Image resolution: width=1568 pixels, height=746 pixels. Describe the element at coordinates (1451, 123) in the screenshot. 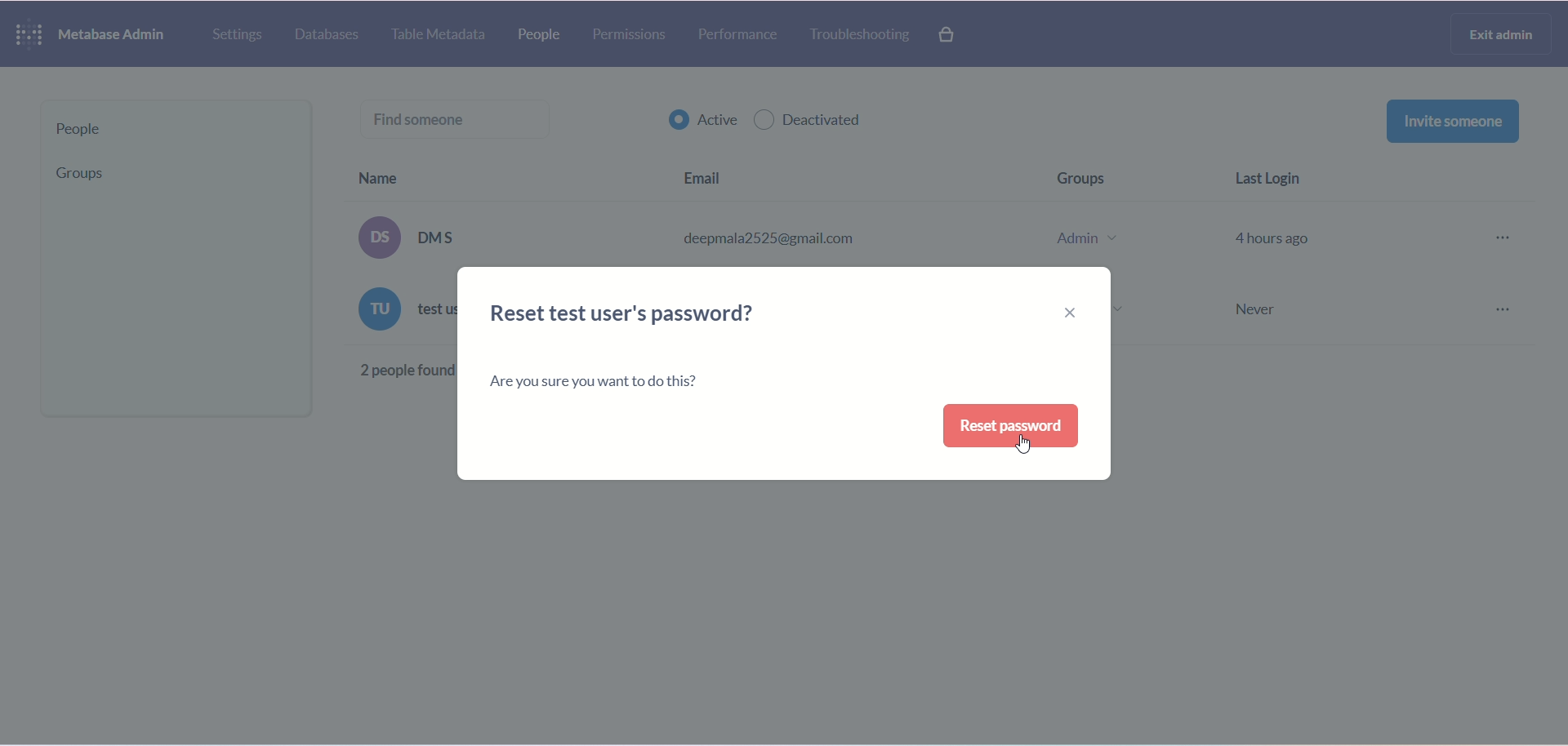

I see `invite someone` at that location.